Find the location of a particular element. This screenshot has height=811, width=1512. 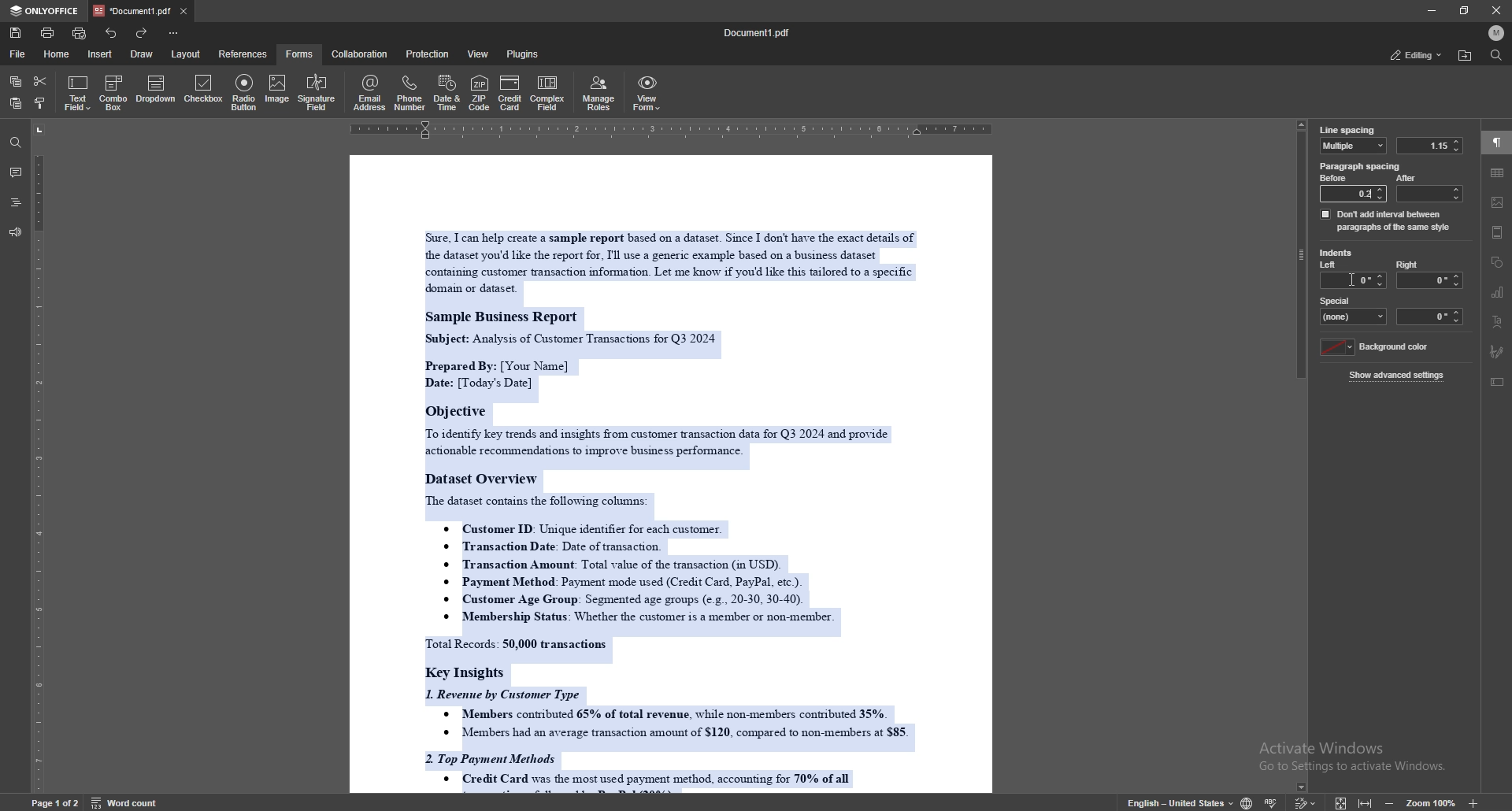

tab is located at coordinates (133, 10).